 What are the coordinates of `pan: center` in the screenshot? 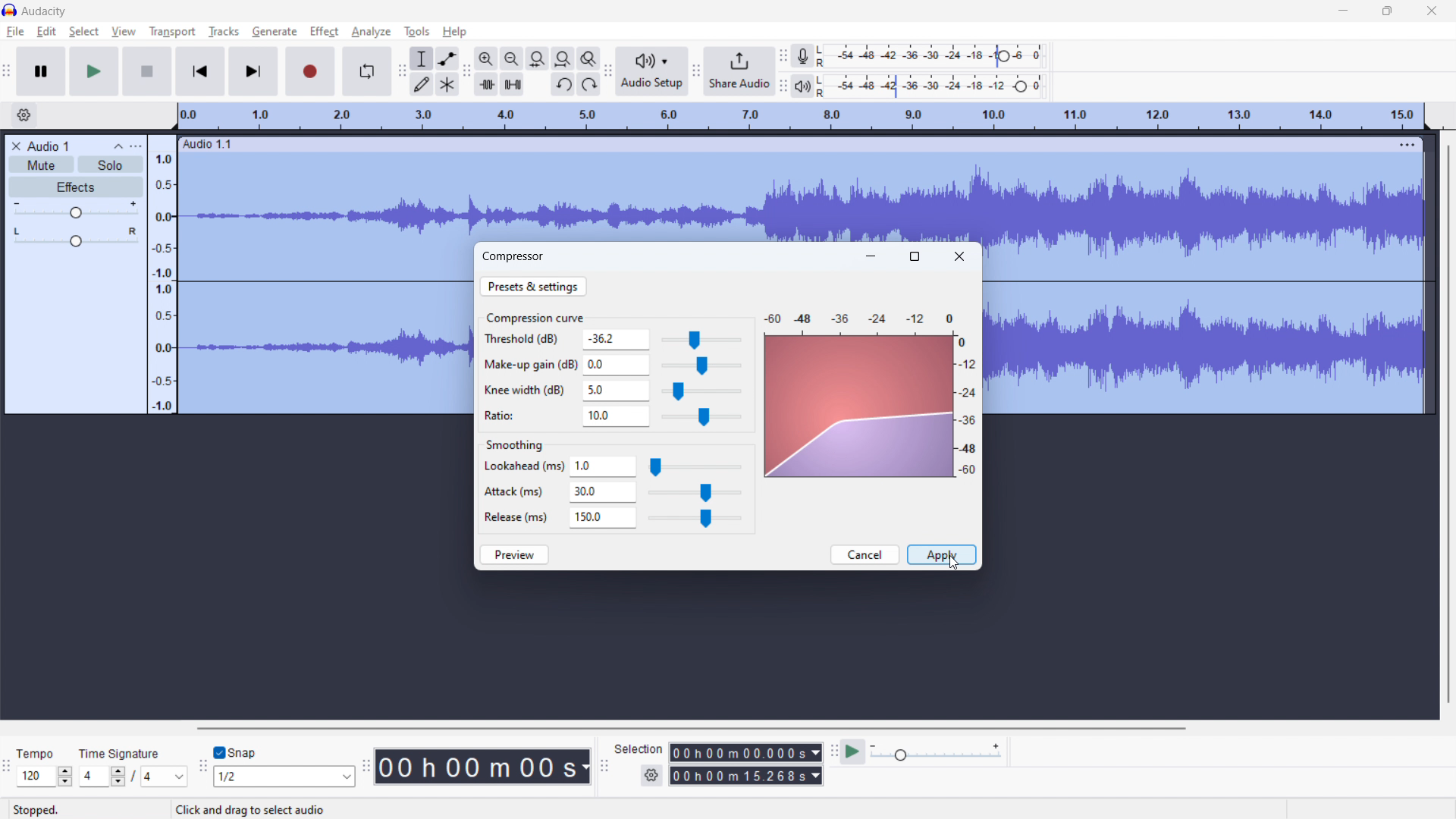 It's located at (75, 237).